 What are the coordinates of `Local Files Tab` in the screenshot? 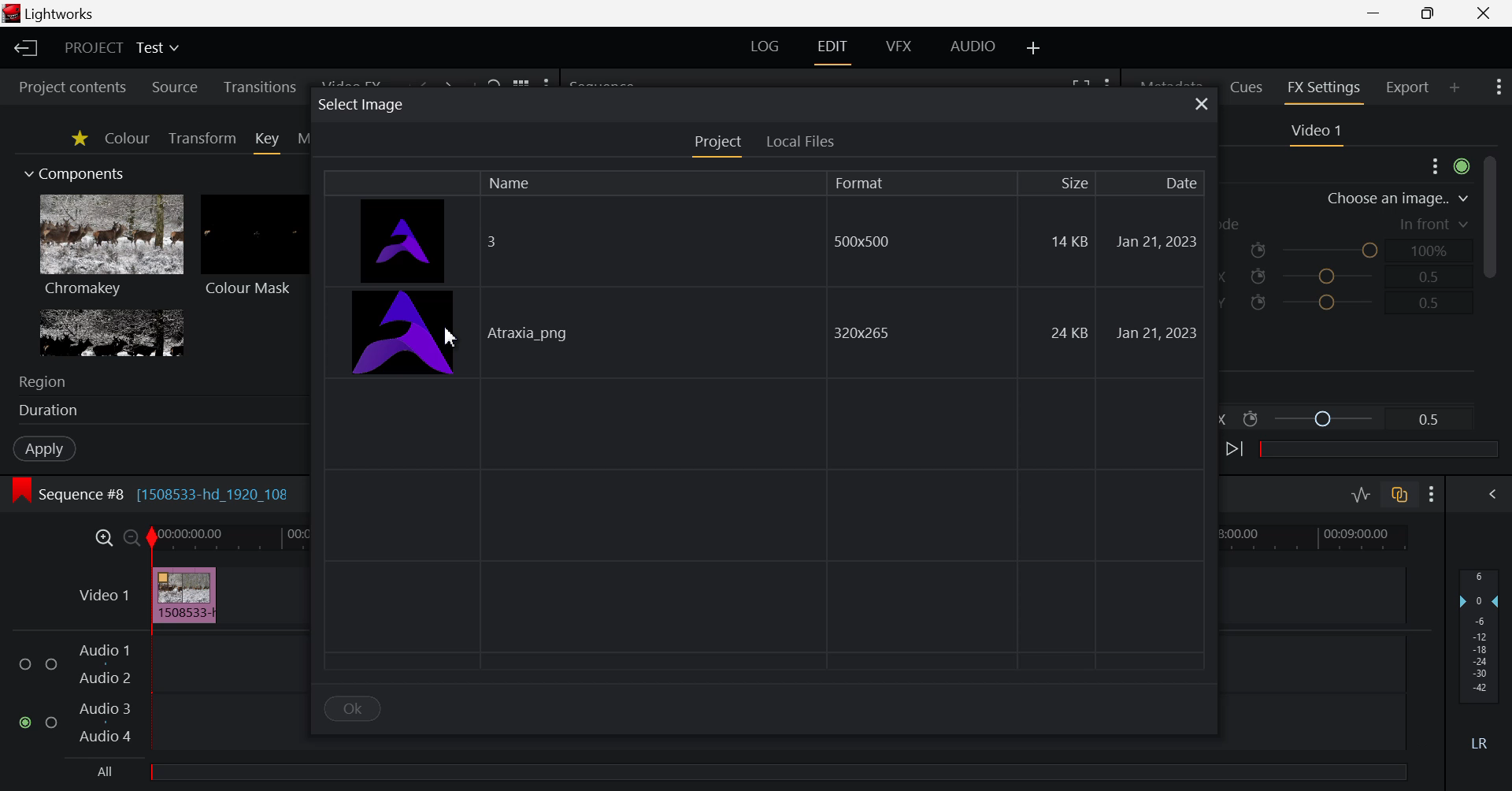 It's located at (798, 143).